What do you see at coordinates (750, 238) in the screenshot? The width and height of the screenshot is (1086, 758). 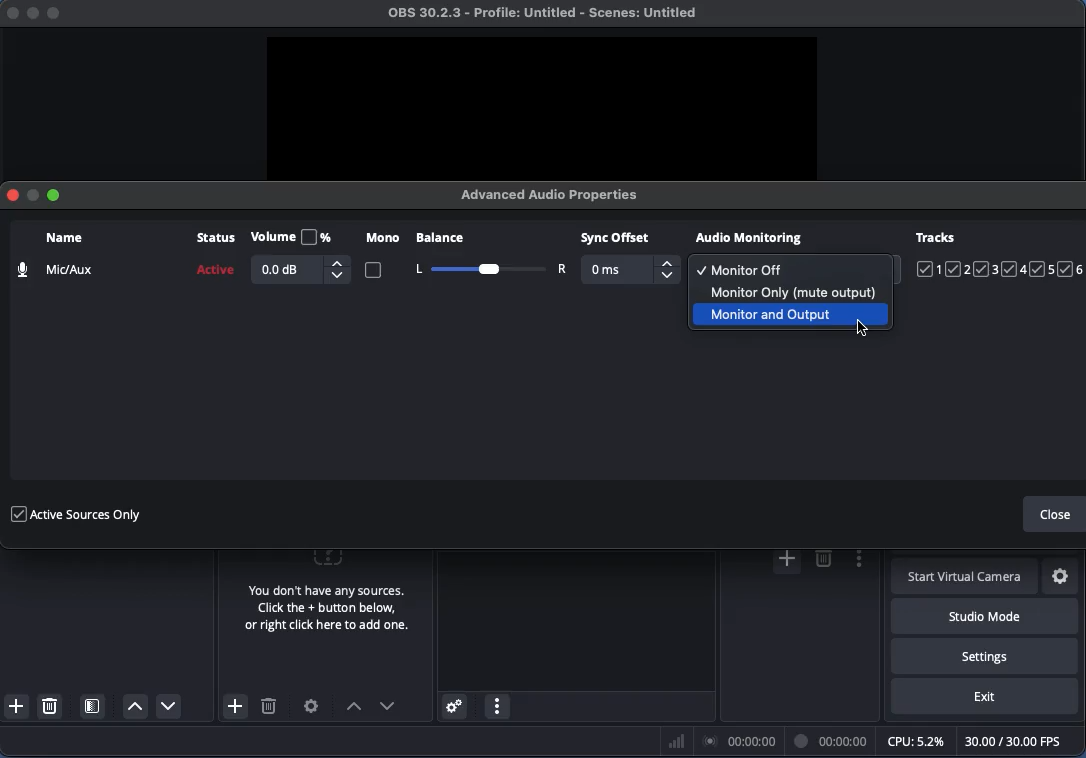 I see `Audio monitoring` at bounding box center [750, 238].